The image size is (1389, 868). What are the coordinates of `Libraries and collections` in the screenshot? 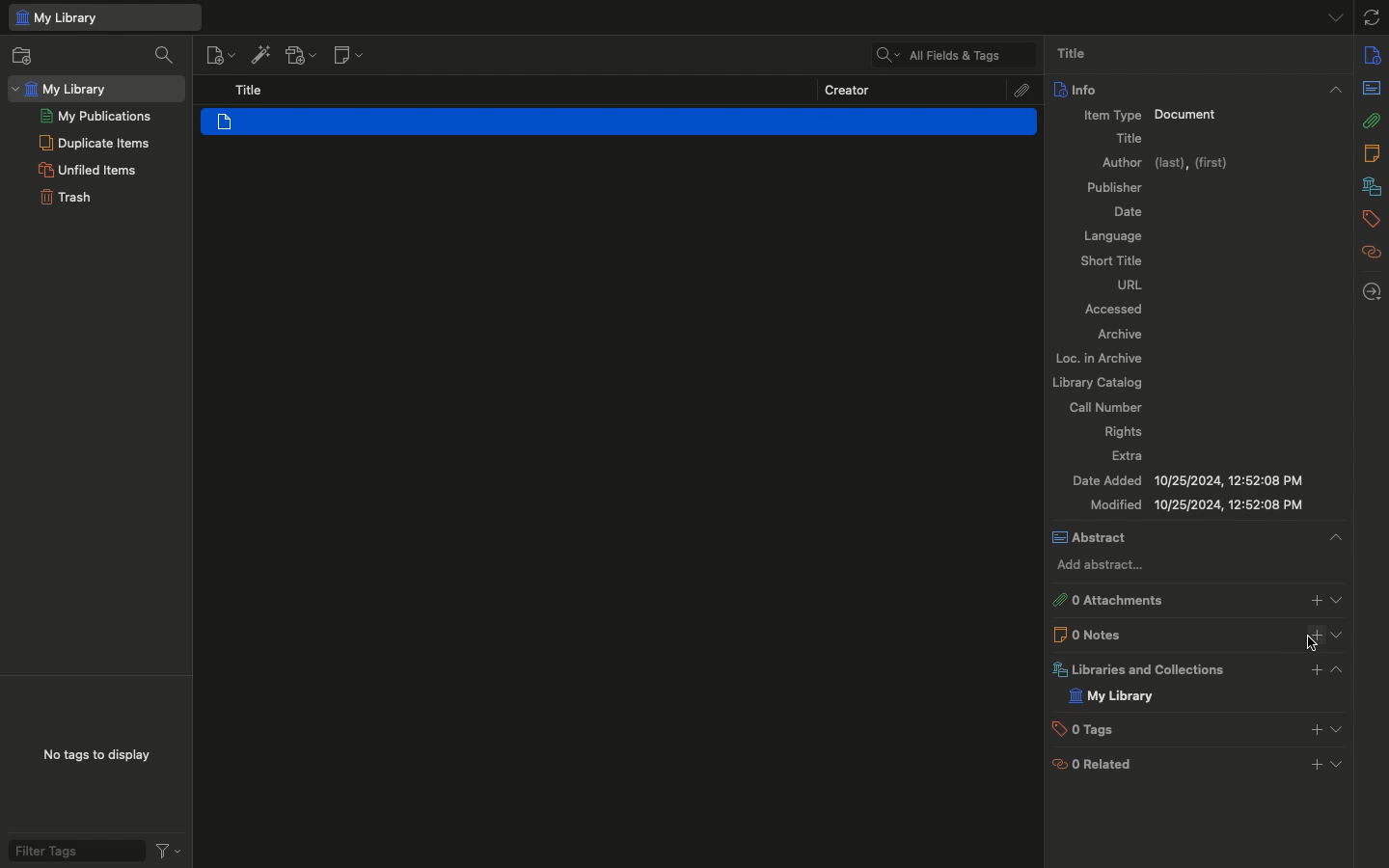 It's located at (1135, 669).